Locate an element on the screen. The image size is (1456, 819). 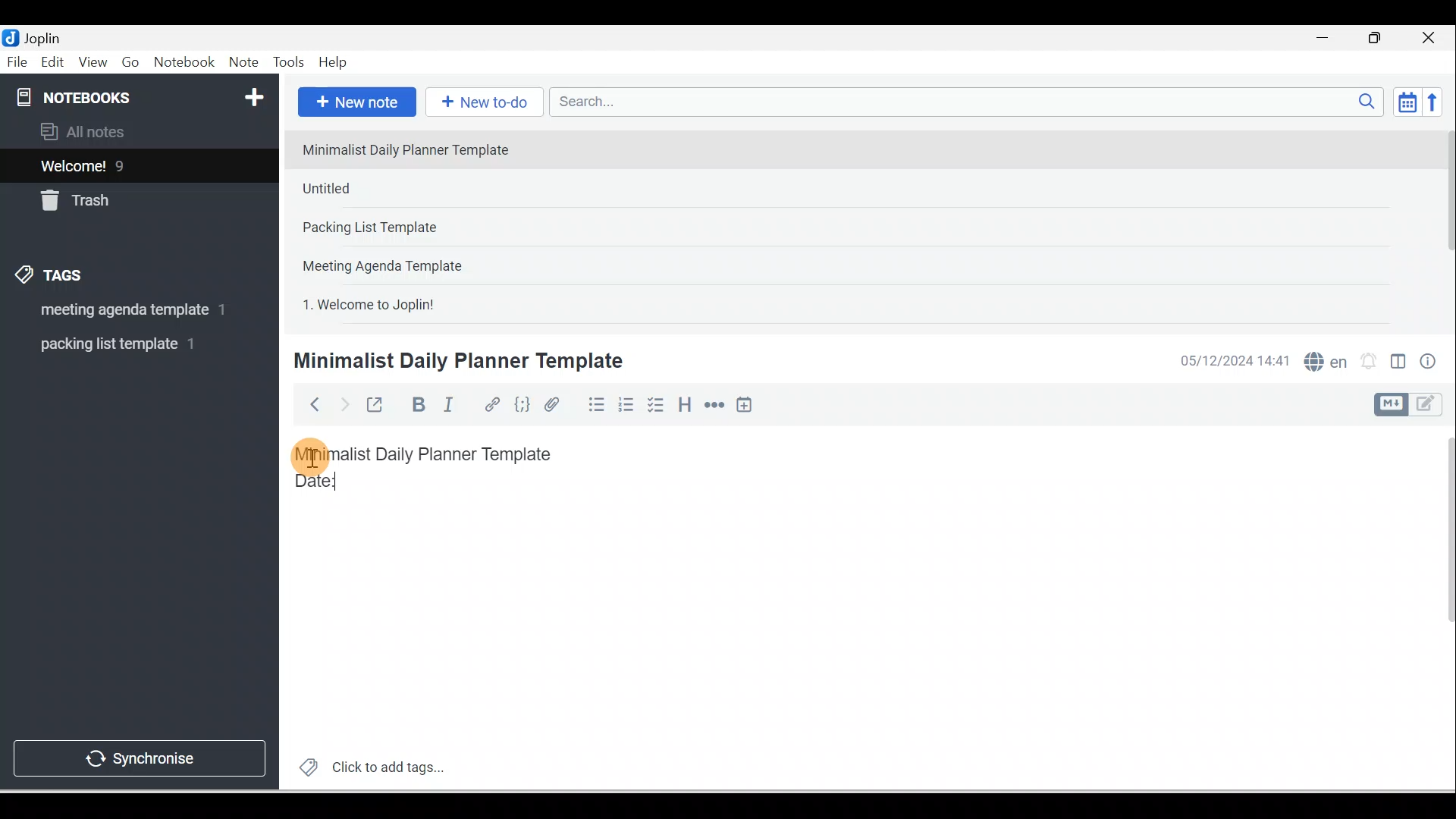
Note 1 is located at coordinates (416, 149).